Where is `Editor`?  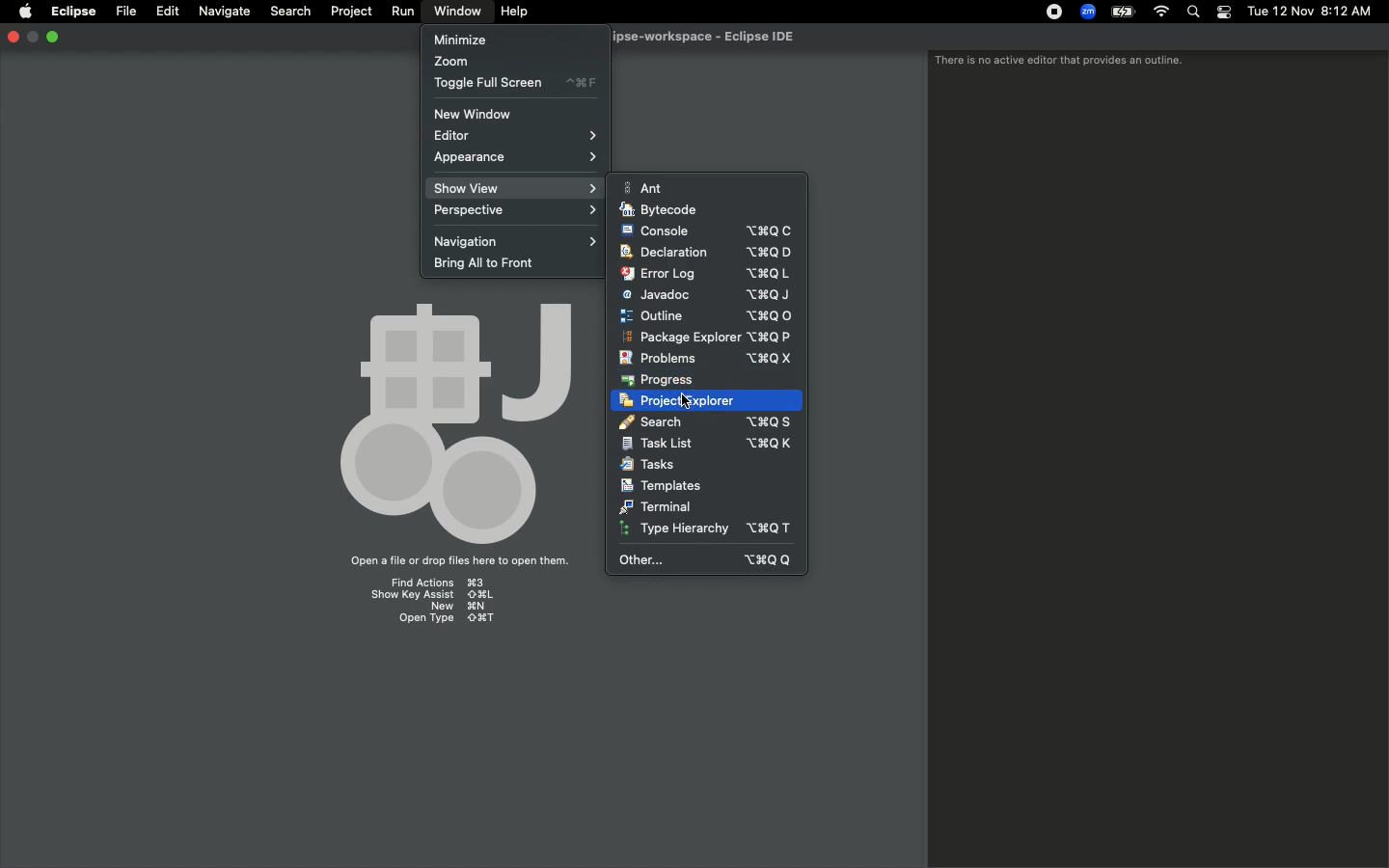 Editor is located at coordinates (513, 135).